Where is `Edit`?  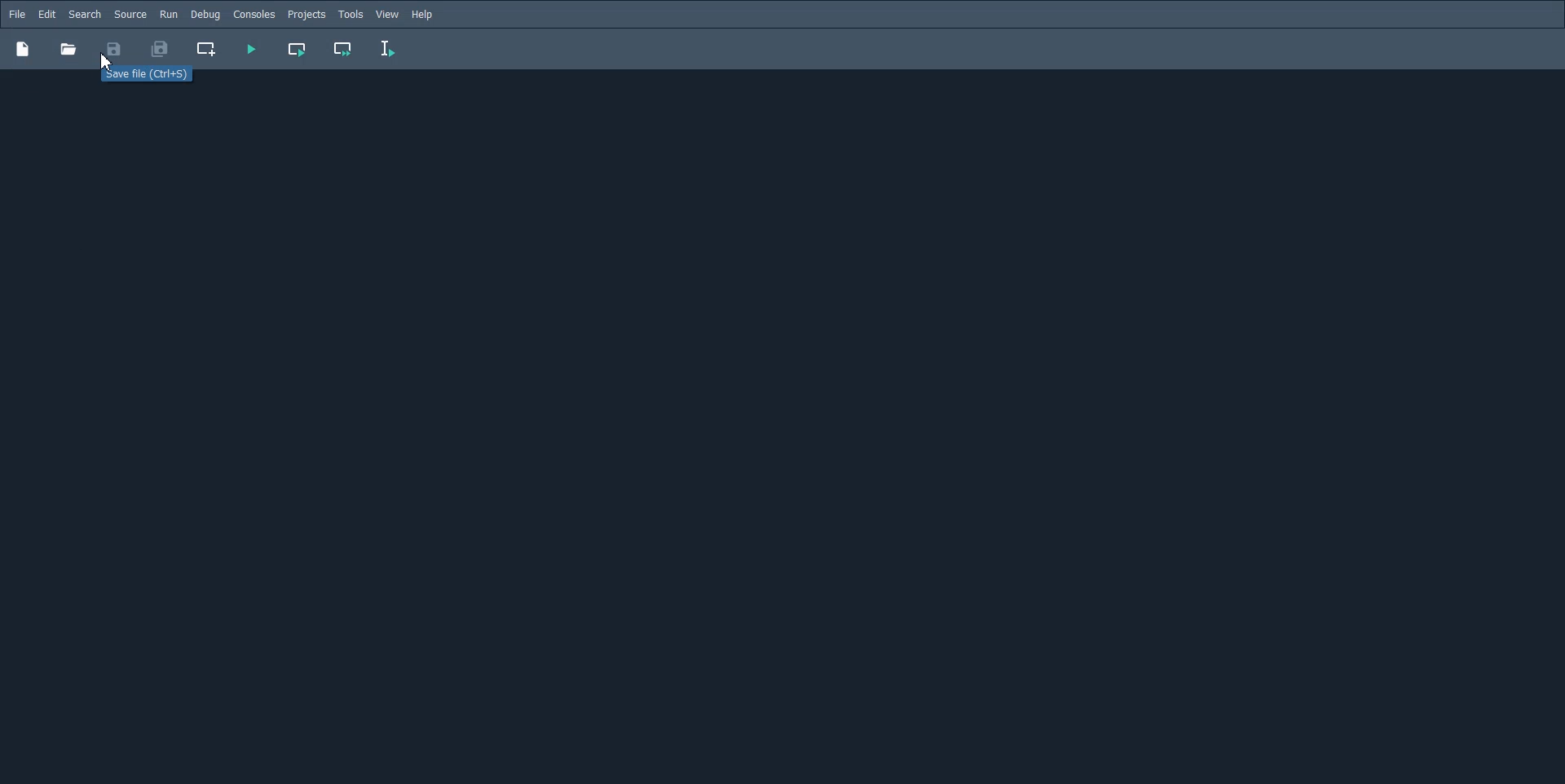
Edit is located at coordinates (46, 15).